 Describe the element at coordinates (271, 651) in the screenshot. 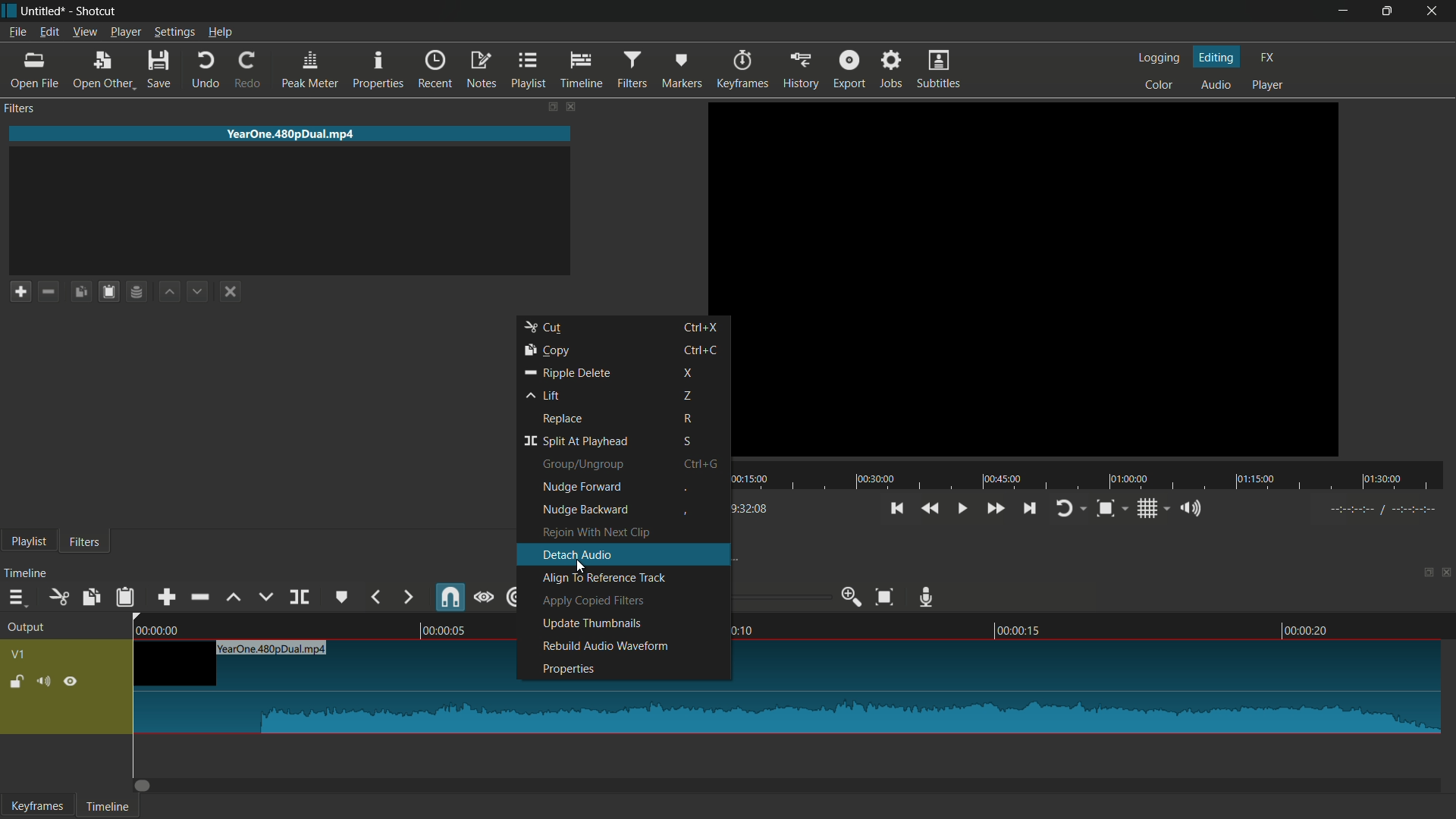

I see `track name` at that location.